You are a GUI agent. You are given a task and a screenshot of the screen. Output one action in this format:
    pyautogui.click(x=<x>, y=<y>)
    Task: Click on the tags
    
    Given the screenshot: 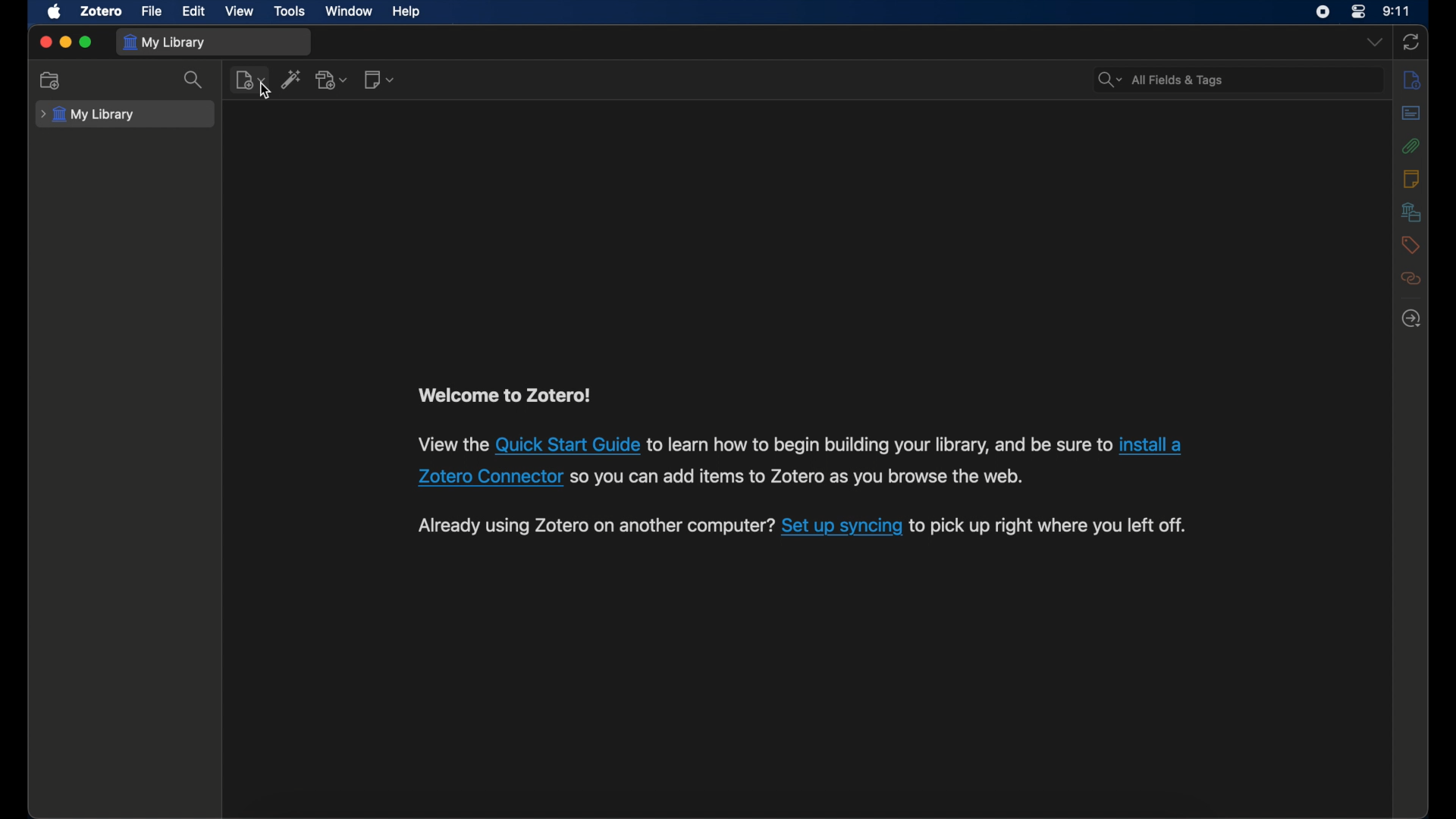 What is the action you would take?
    pyautogui.click(x=1410, y=244)
    